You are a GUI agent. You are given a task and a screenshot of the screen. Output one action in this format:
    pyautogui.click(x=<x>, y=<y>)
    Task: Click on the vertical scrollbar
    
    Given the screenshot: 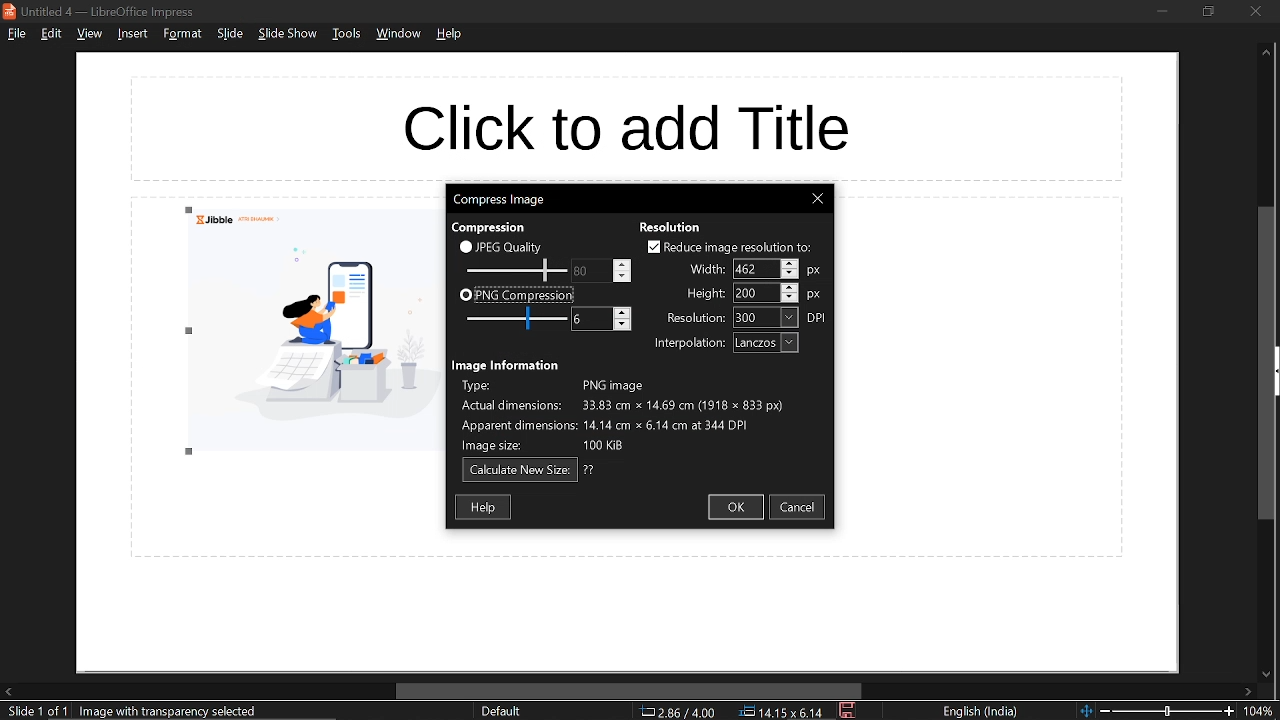 What is the action you would take?
    pyautogui.click(x=1268, y=364)
    